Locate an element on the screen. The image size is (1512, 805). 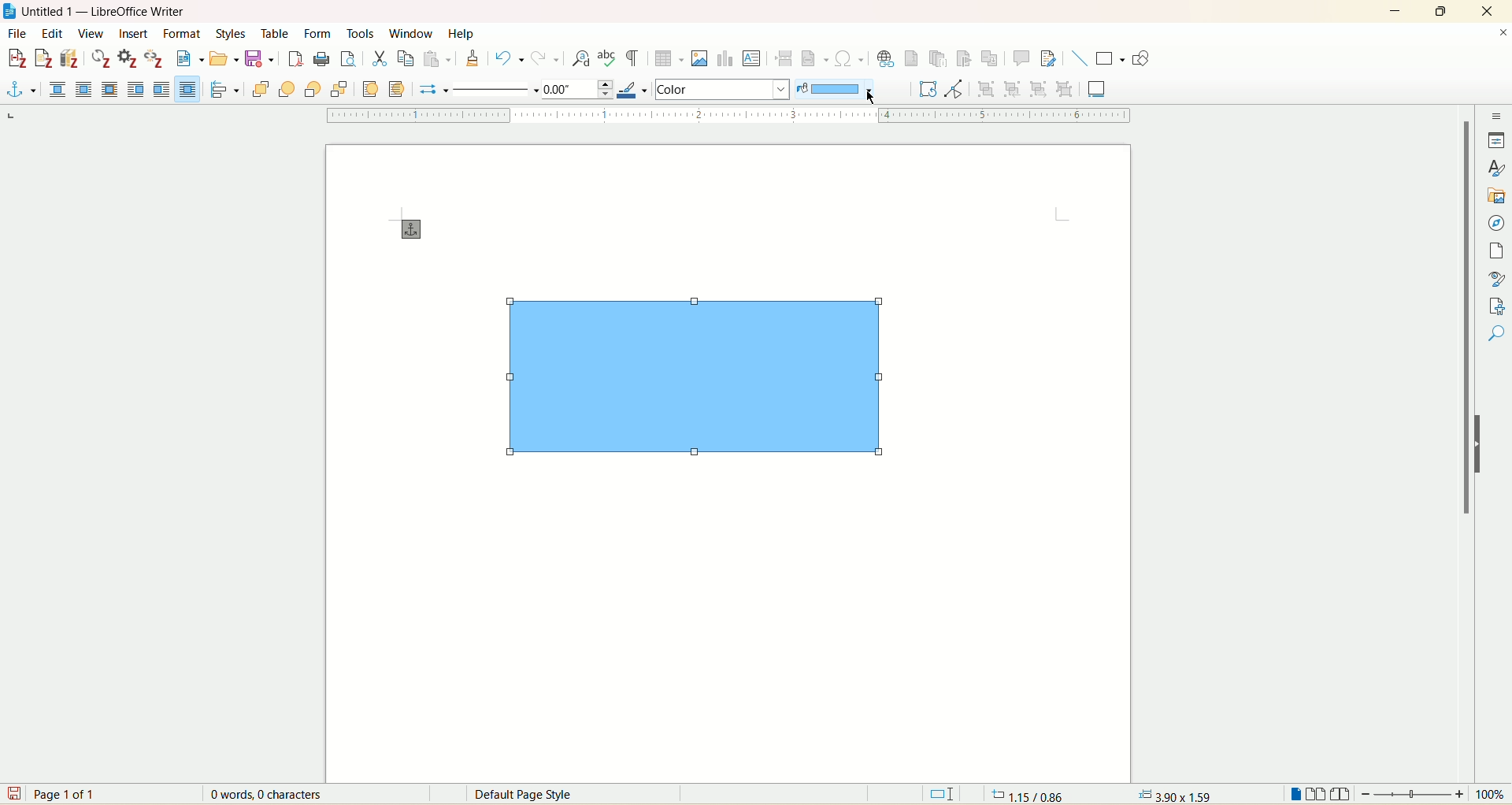
insert is located at coordinates (134, 35).